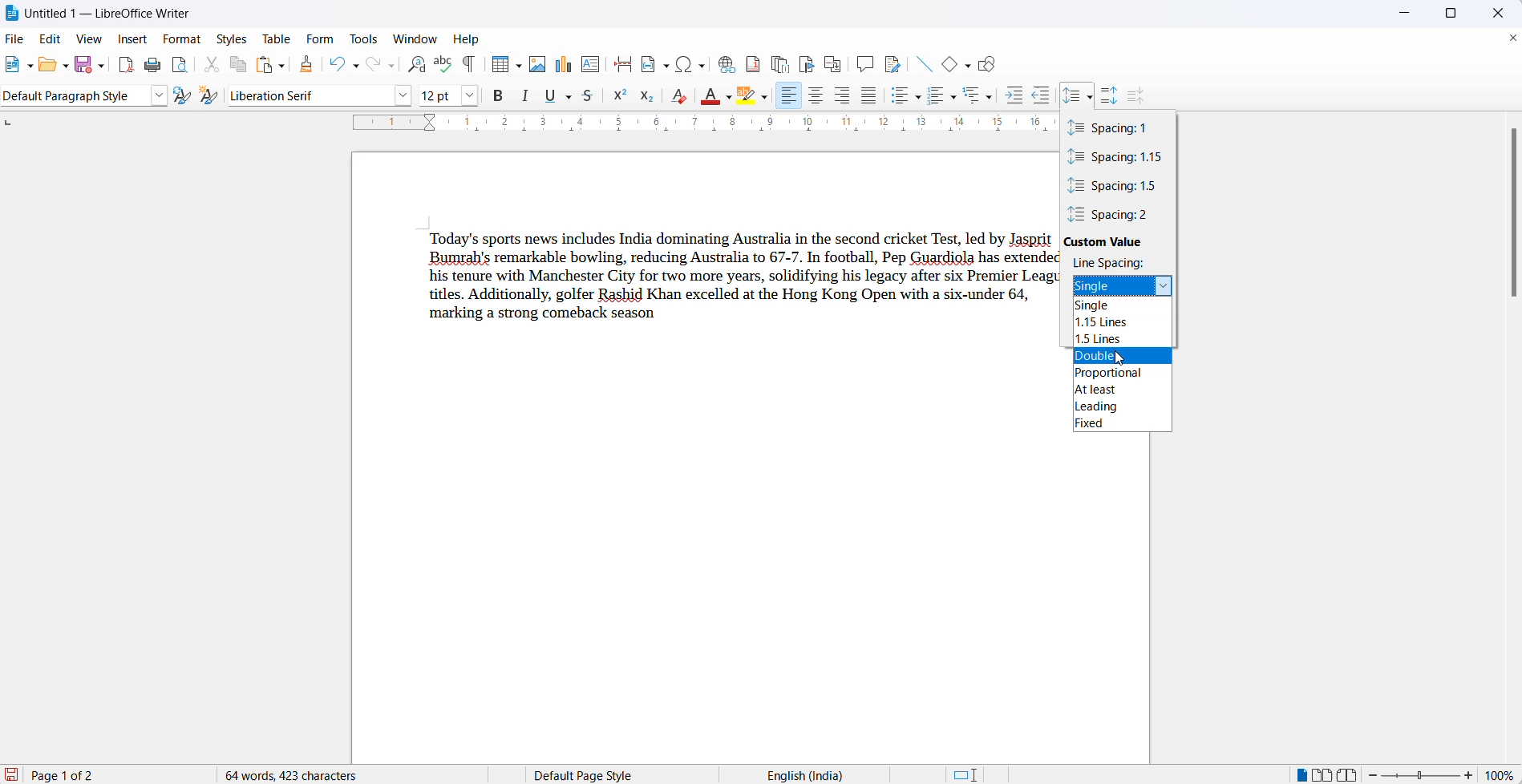 The height and width of the screenshot is (784, 1522). What do you see at coordinates (651, 95) in the screenshot?
I see `subscript` at bounding box center [651, 95].